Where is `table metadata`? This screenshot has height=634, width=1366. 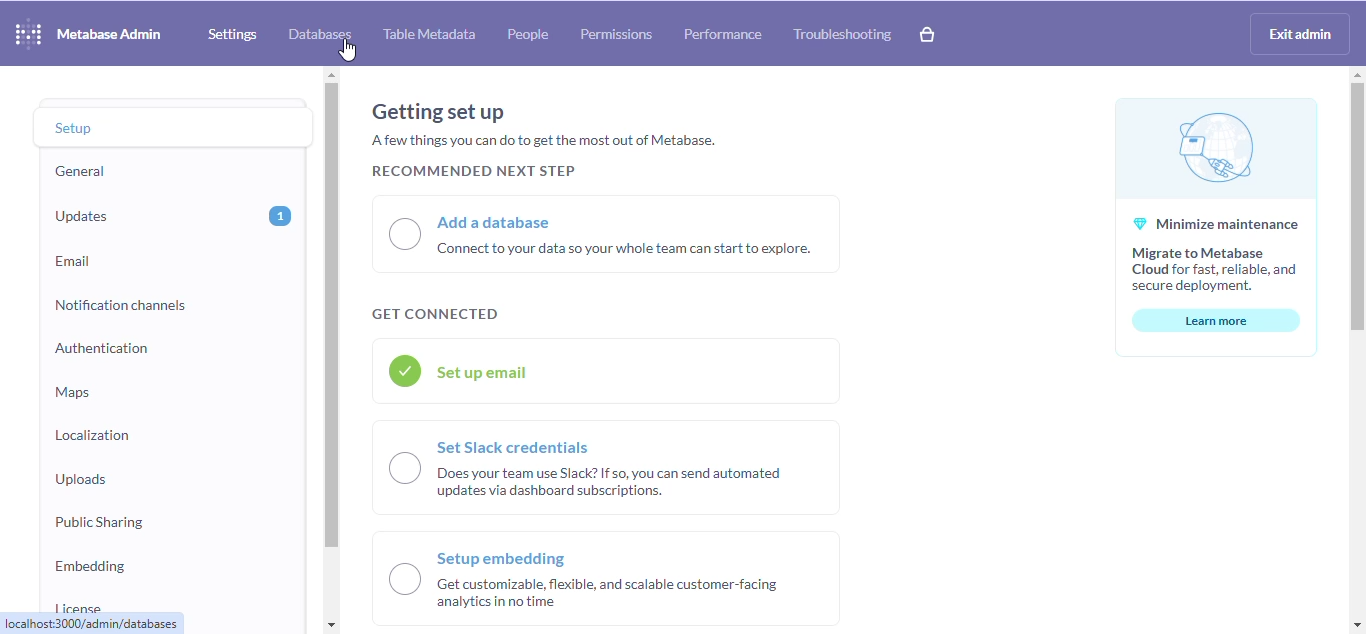 table metadata is located at coordinates (430, 34).